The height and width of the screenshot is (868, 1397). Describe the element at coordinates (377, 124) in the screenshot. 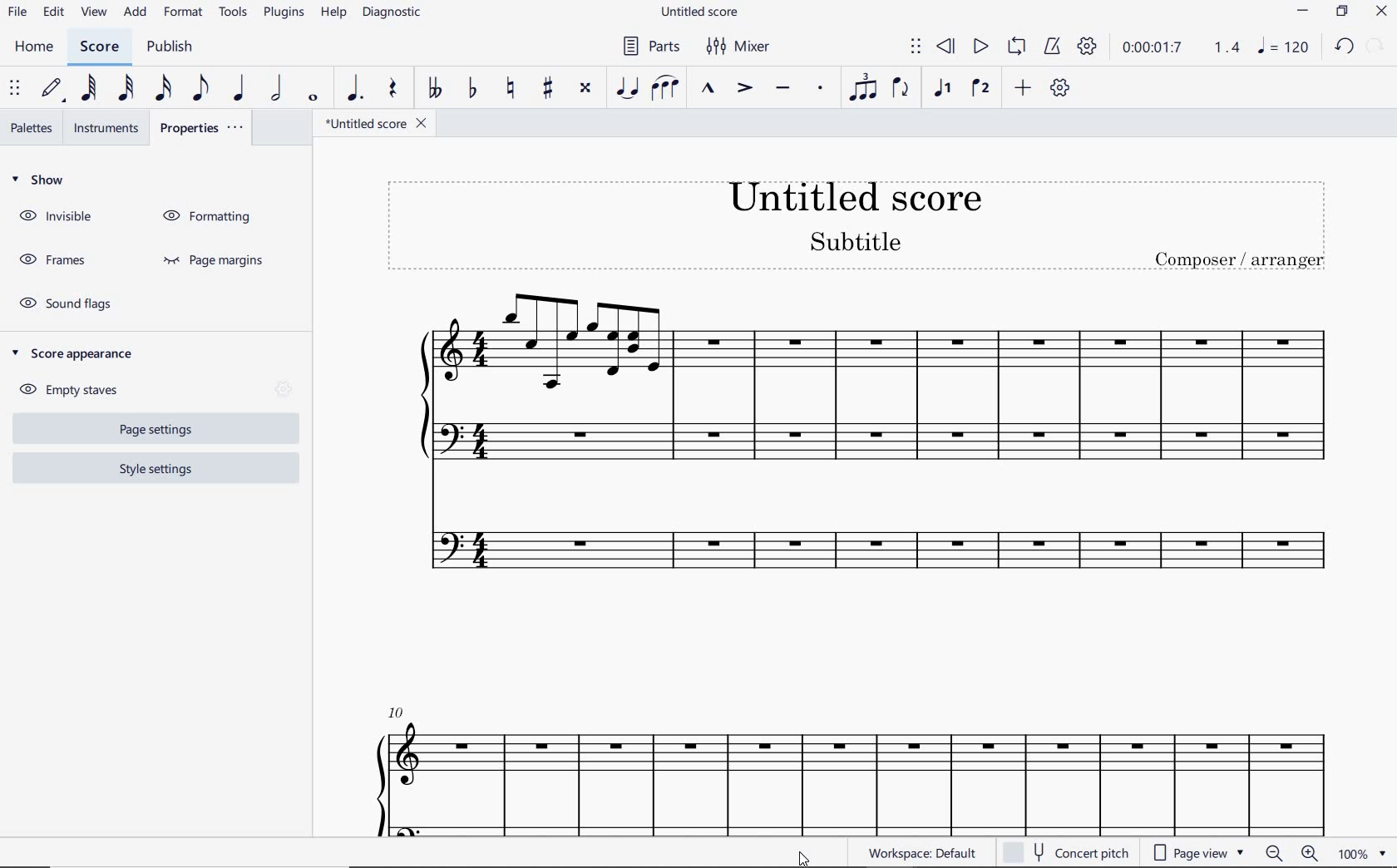

I see `FILE NAME` at that location.